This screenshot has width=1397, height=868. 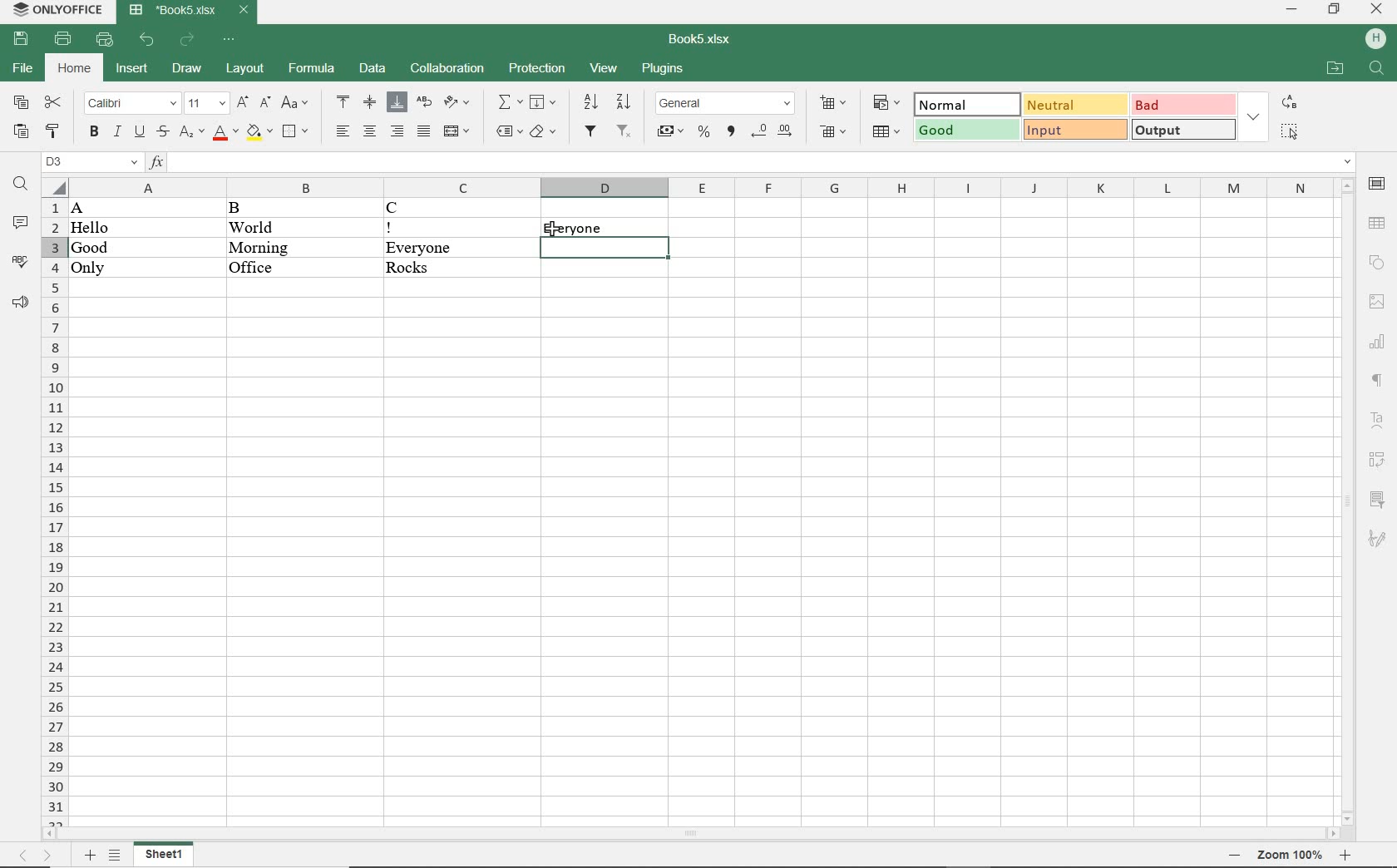 I want to click on Office, so click(x=259, y=267).